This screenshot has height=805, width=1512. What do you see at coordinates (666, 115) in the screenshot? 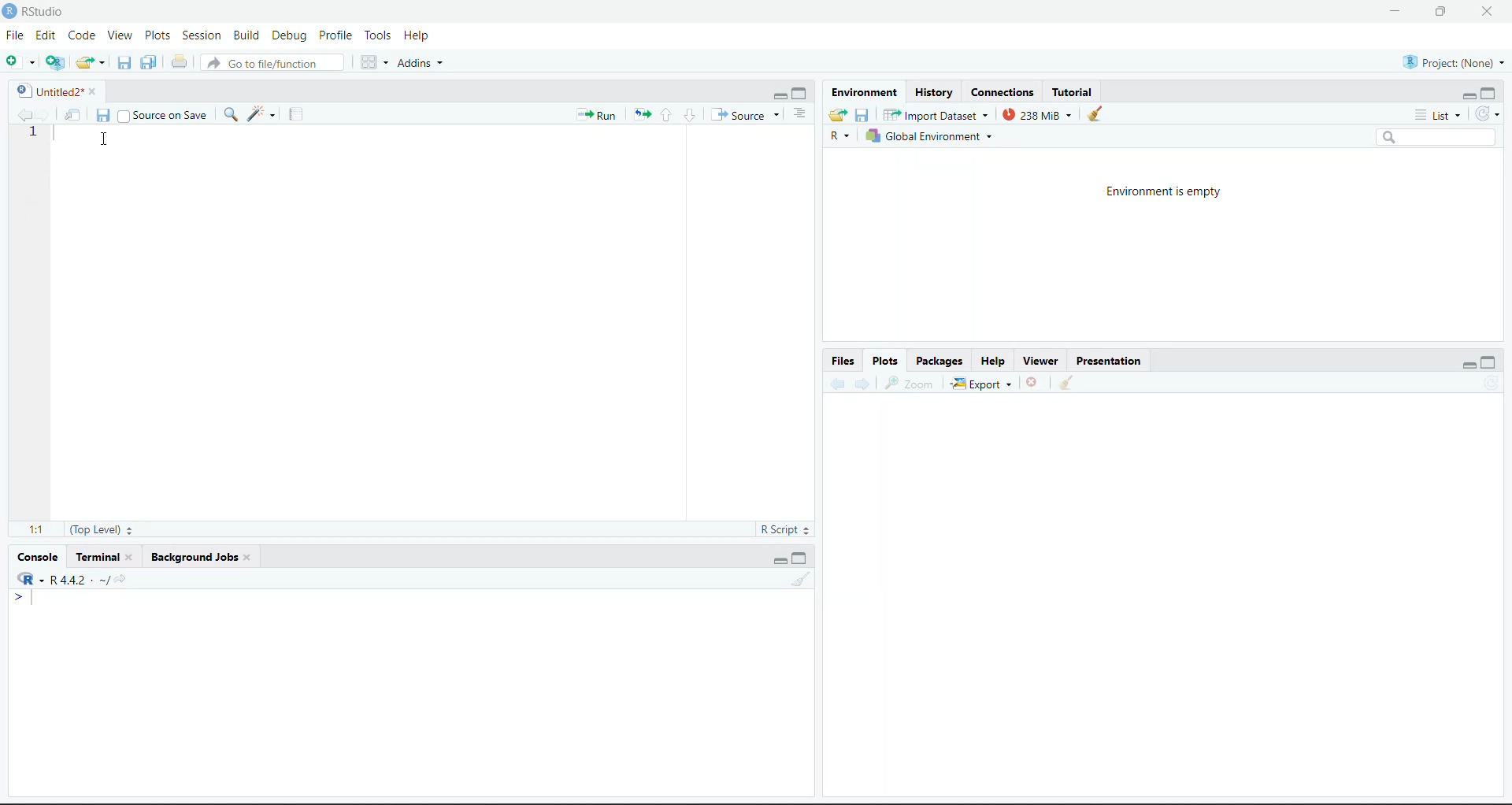
I see `up` at bounding box center [666, 115].